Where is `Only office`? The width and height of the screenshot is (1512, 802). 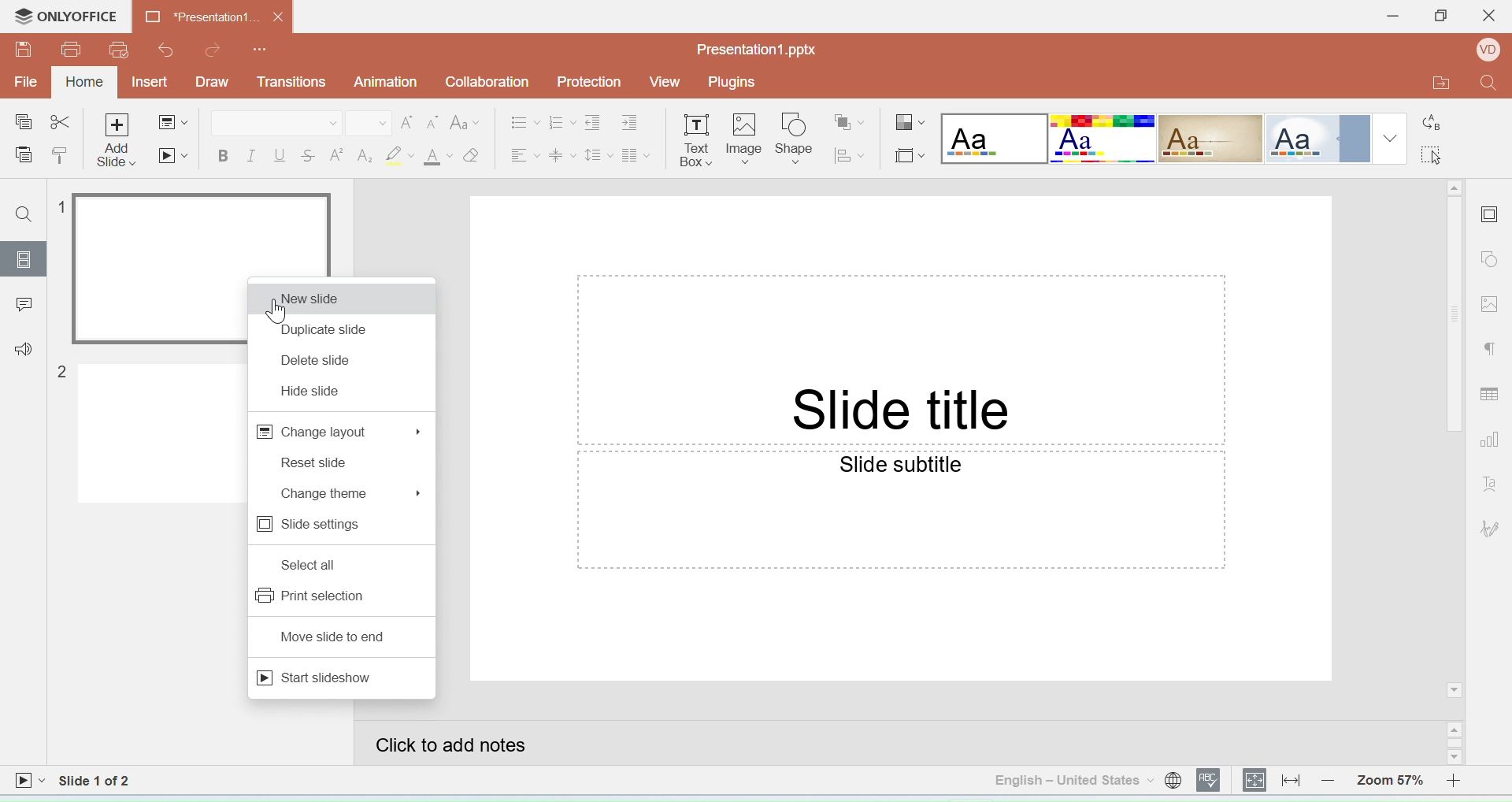 Only office is located at coordinates (68, 17).